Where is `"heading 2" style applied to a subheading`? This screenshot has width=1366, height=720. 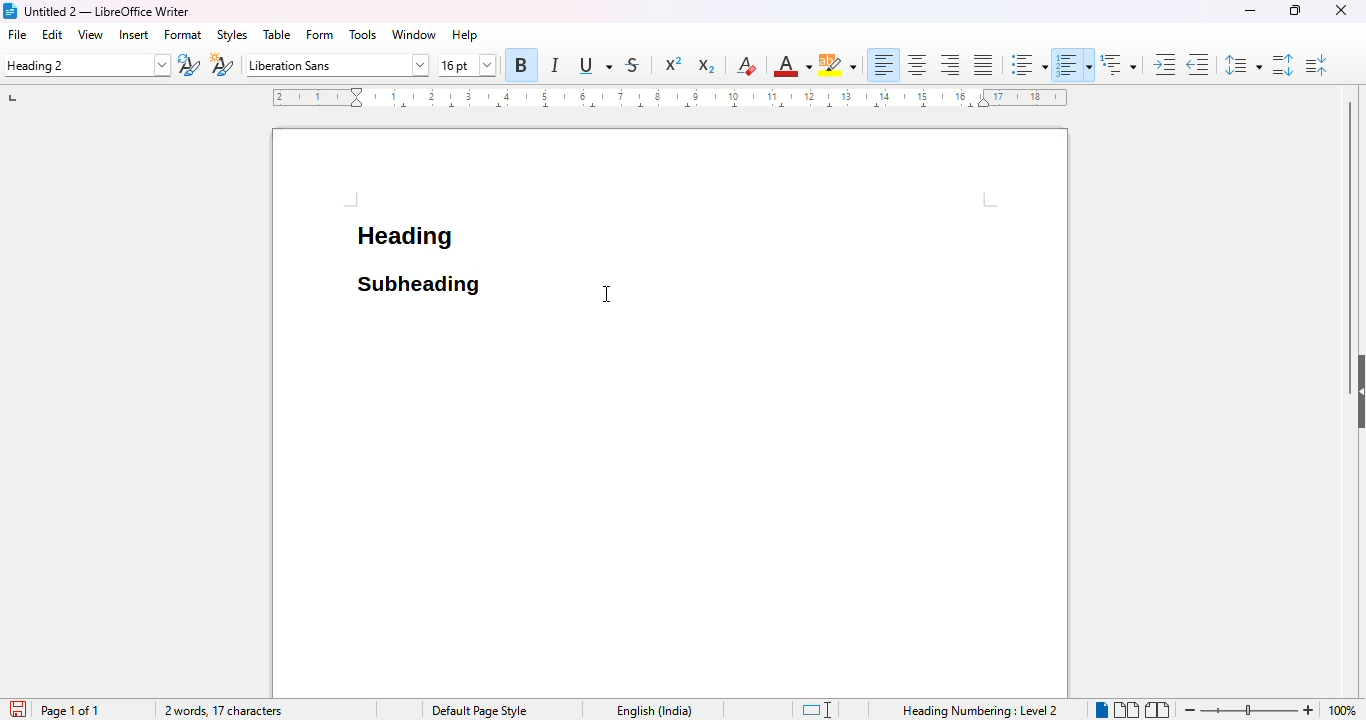 "heading 2" style applied to a subheading is located at coordinates (418, 284).